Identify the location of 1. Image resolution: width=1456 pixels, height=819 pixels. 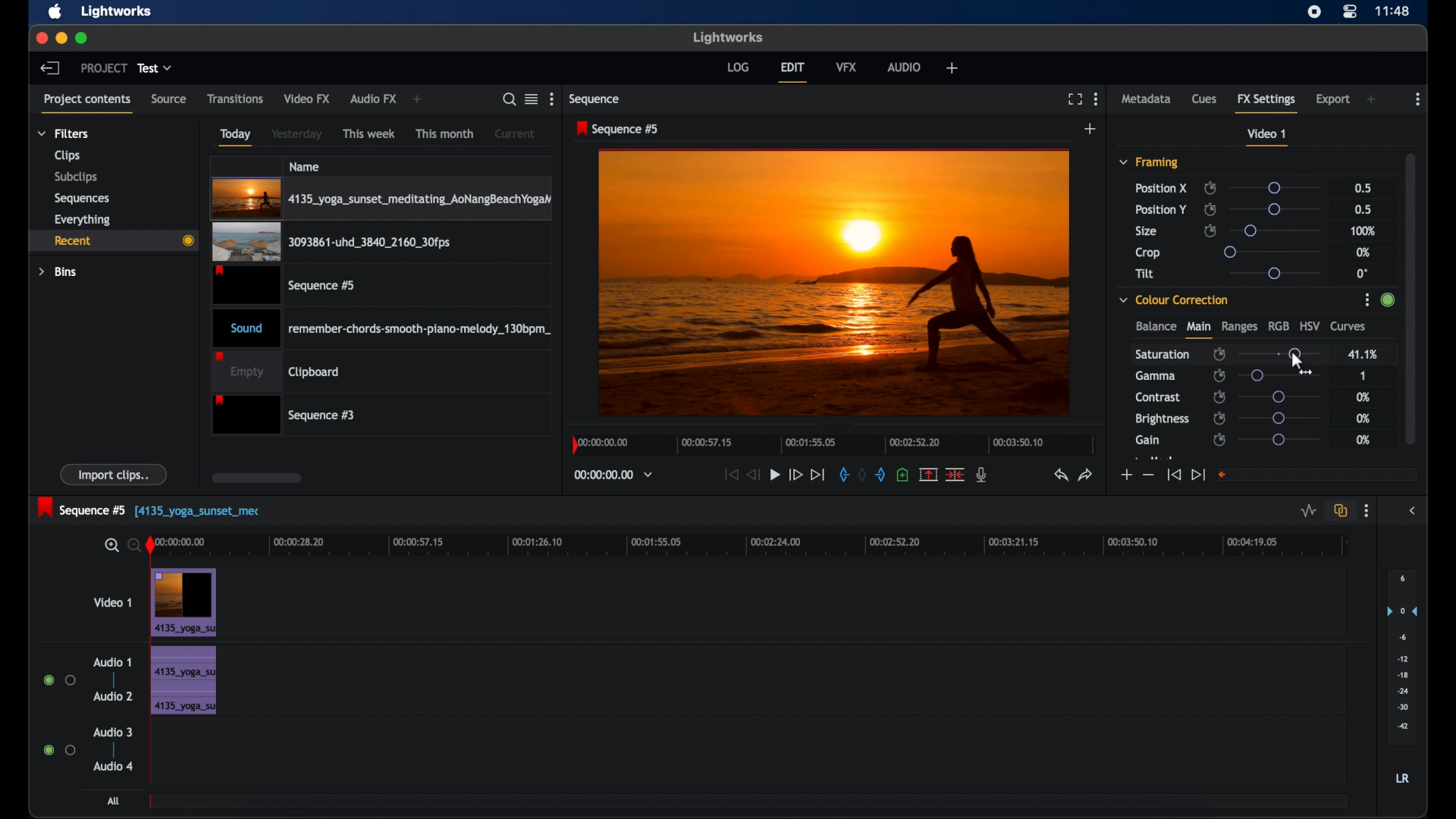
(1362, 375).